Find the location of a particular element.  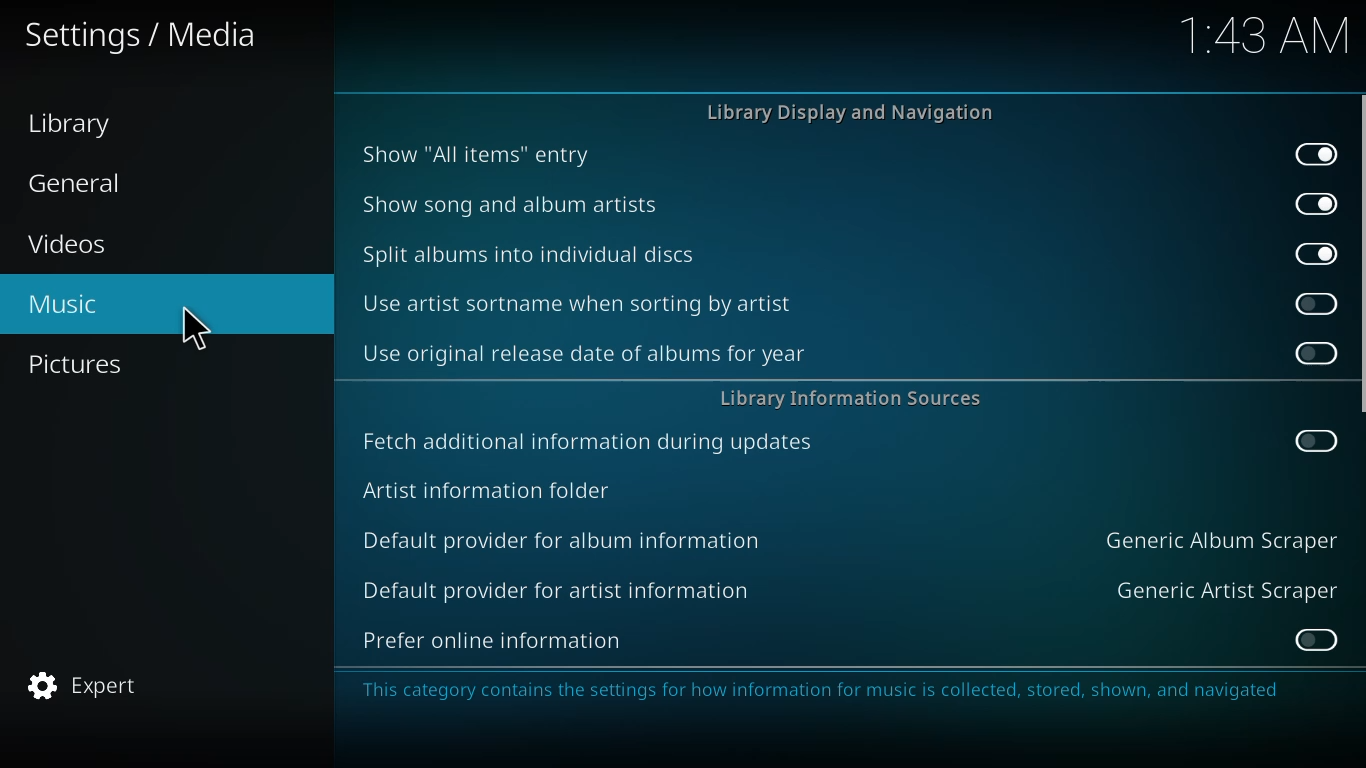

default provider for artist is located at coordinates (555, 589).